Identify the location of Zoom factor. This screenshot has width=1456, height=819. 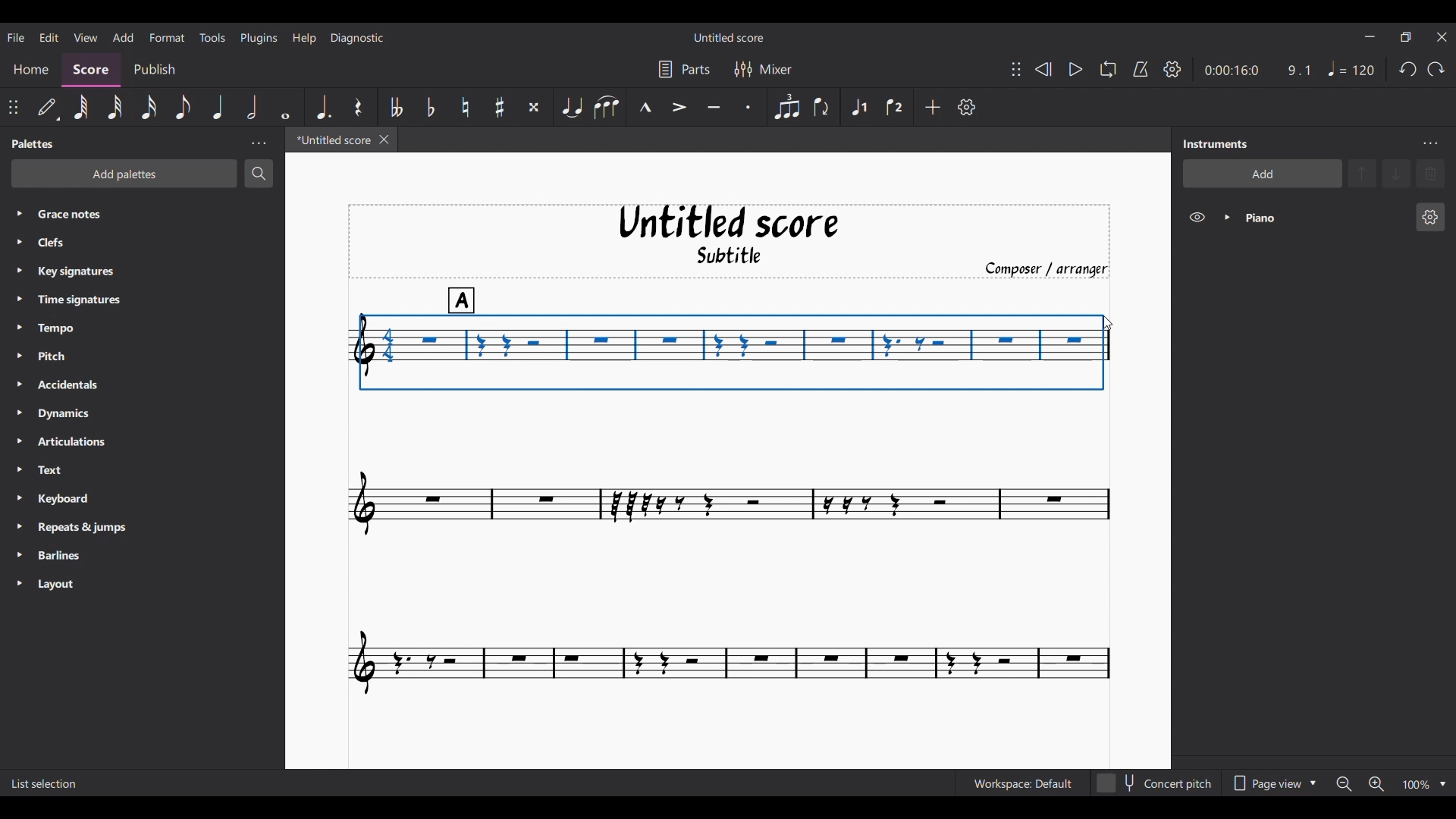
(1417, 785).